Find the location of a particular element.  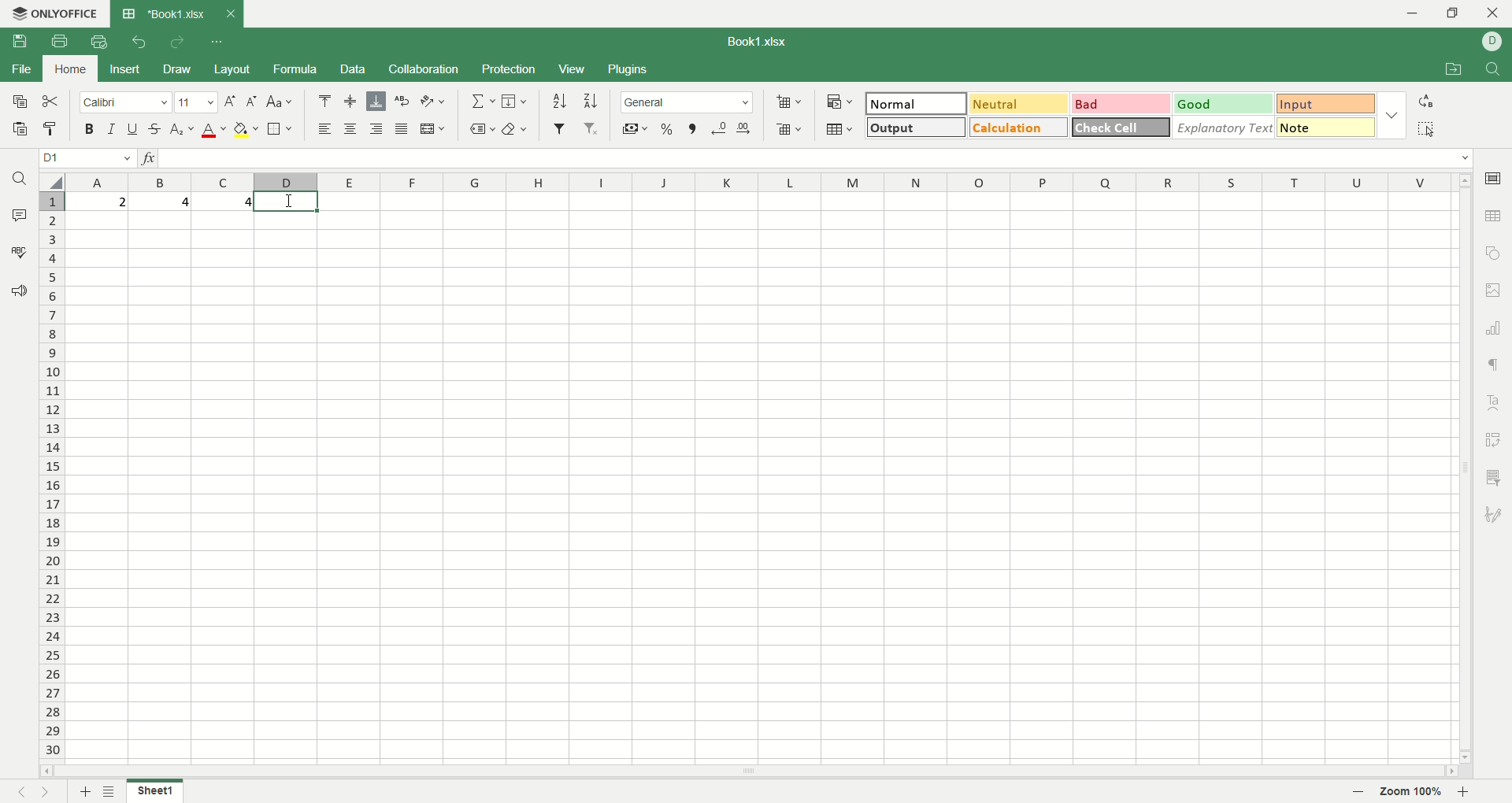

justified is located at coordinates (400, 130).